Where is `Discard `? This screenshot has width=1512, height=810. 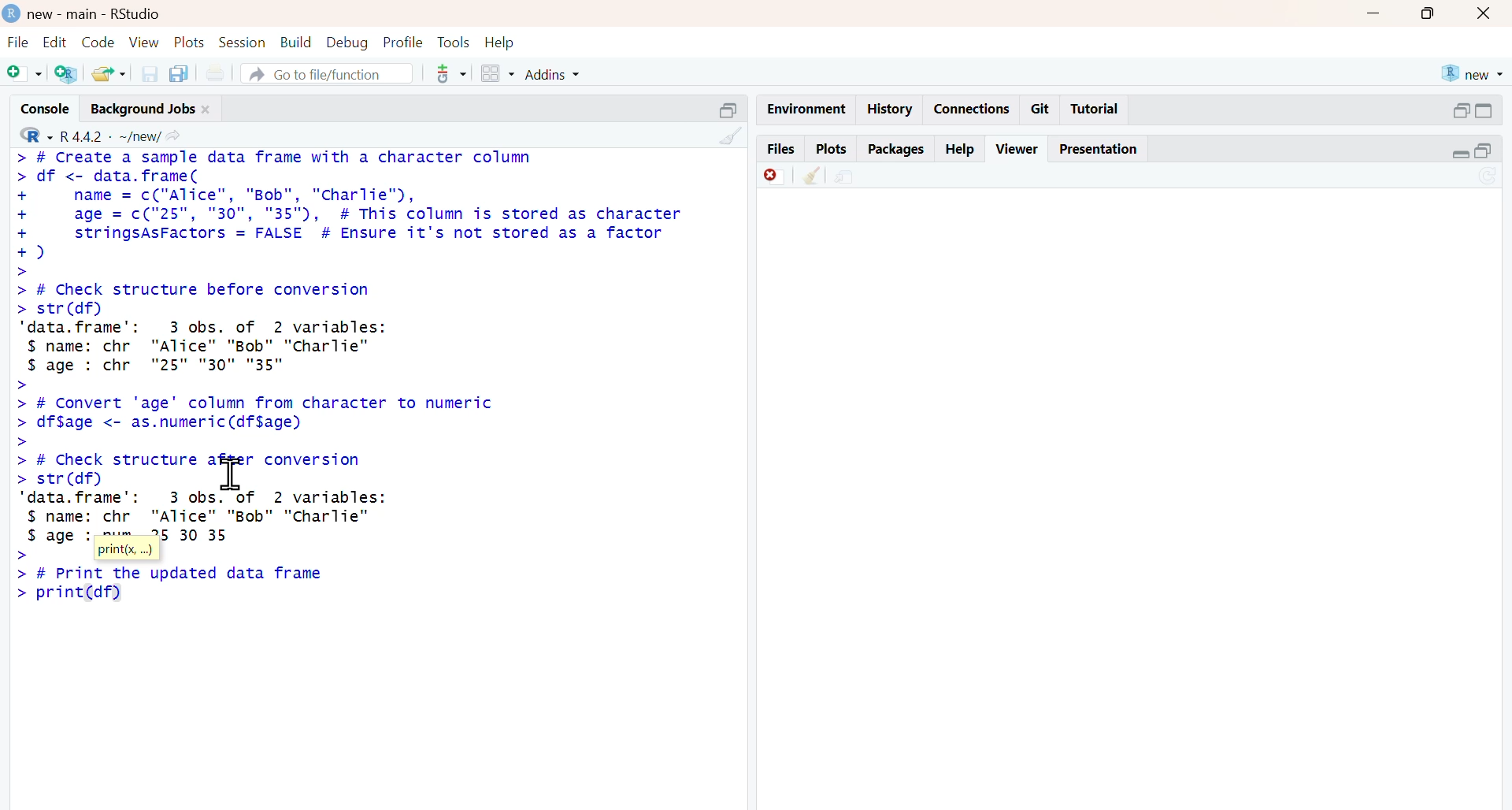 Discard  is located at coordinates (775, 176).